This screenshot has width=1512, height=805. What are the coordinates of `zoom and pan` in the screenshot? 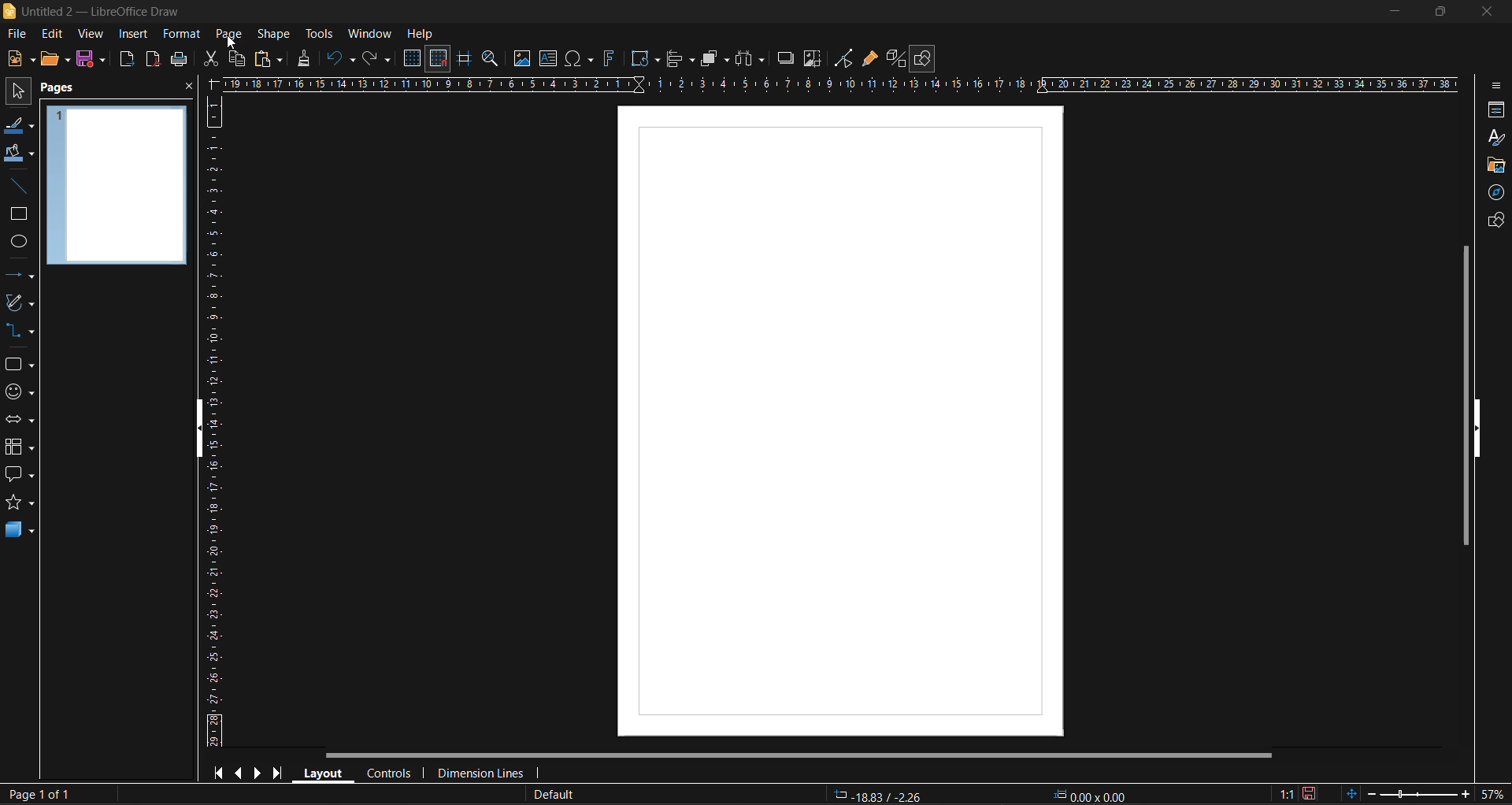 It's located at (489, 58).